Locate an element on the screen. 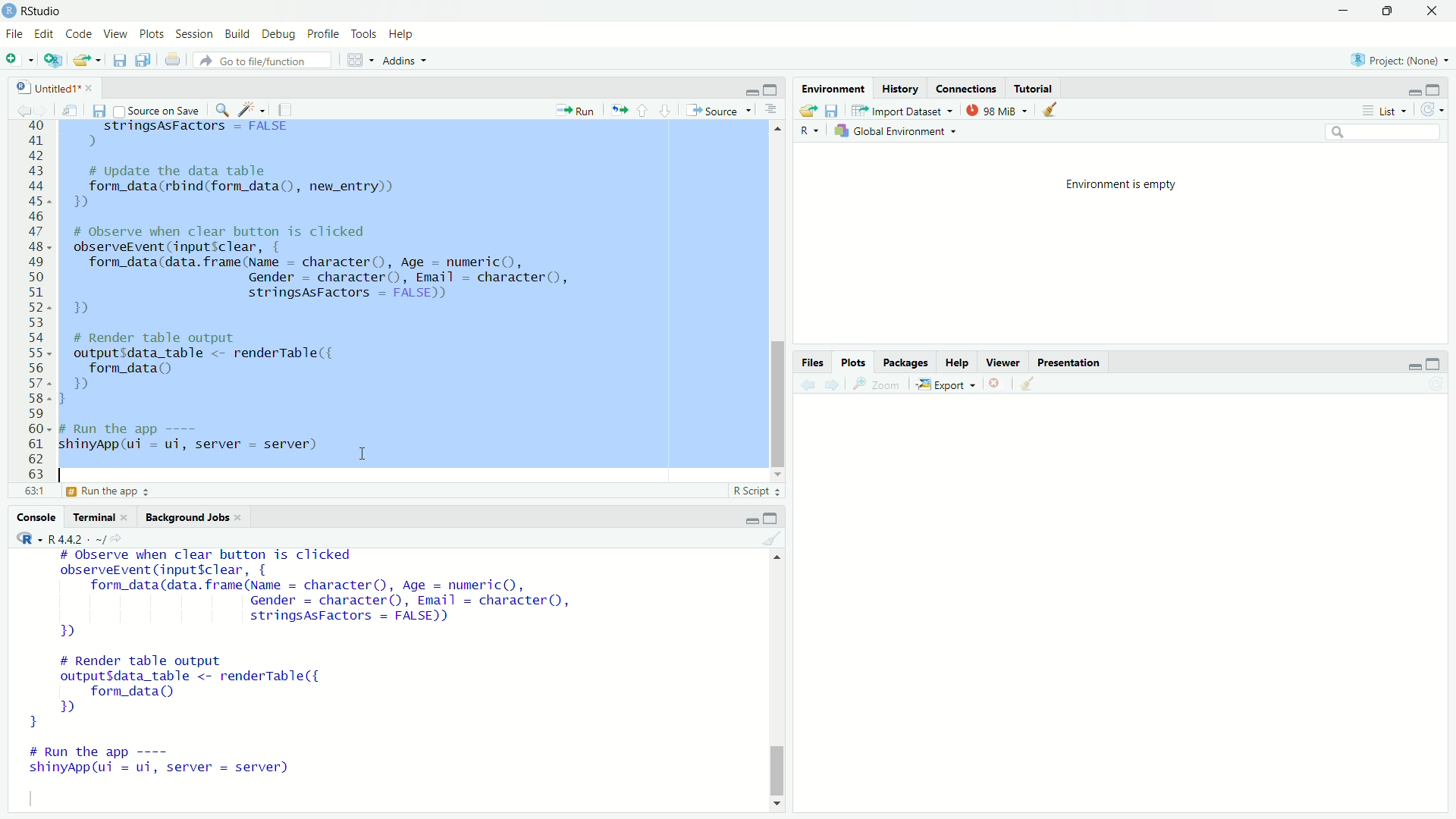  view the current working directory is located at coordinates (121, 538).